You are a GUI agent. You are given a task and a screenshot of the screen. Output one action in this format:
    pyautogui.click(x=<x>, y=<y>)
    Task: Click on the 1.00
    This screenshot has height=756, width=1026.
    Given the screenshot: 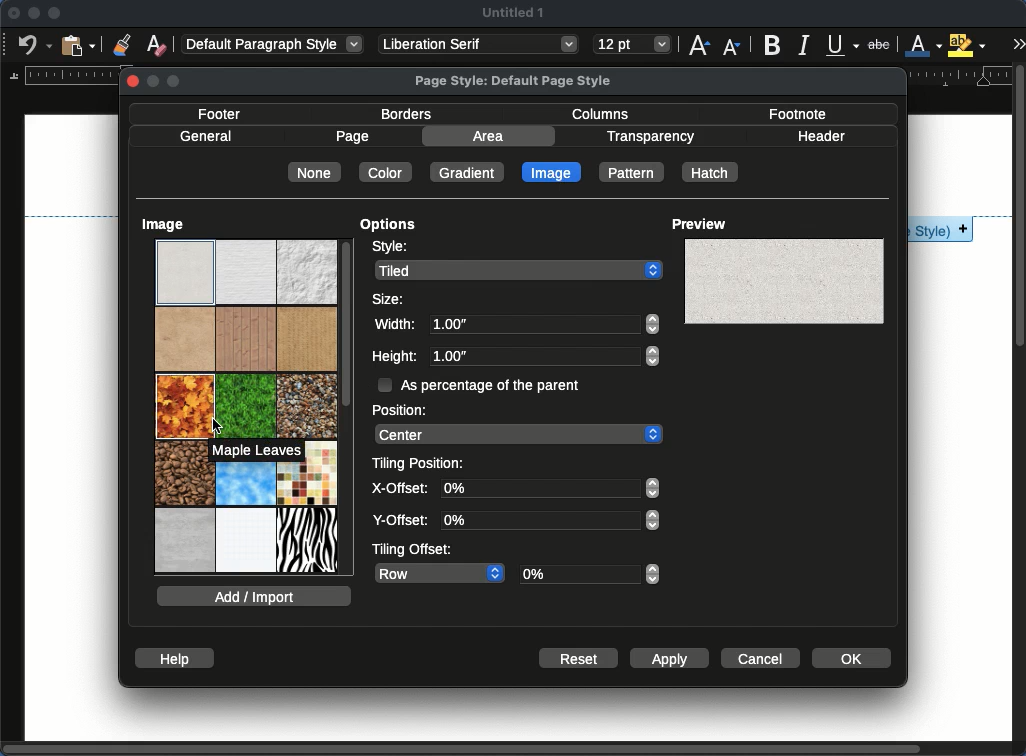 What is the action you would take?
    pyautogui.click(x=545, y=357)
    